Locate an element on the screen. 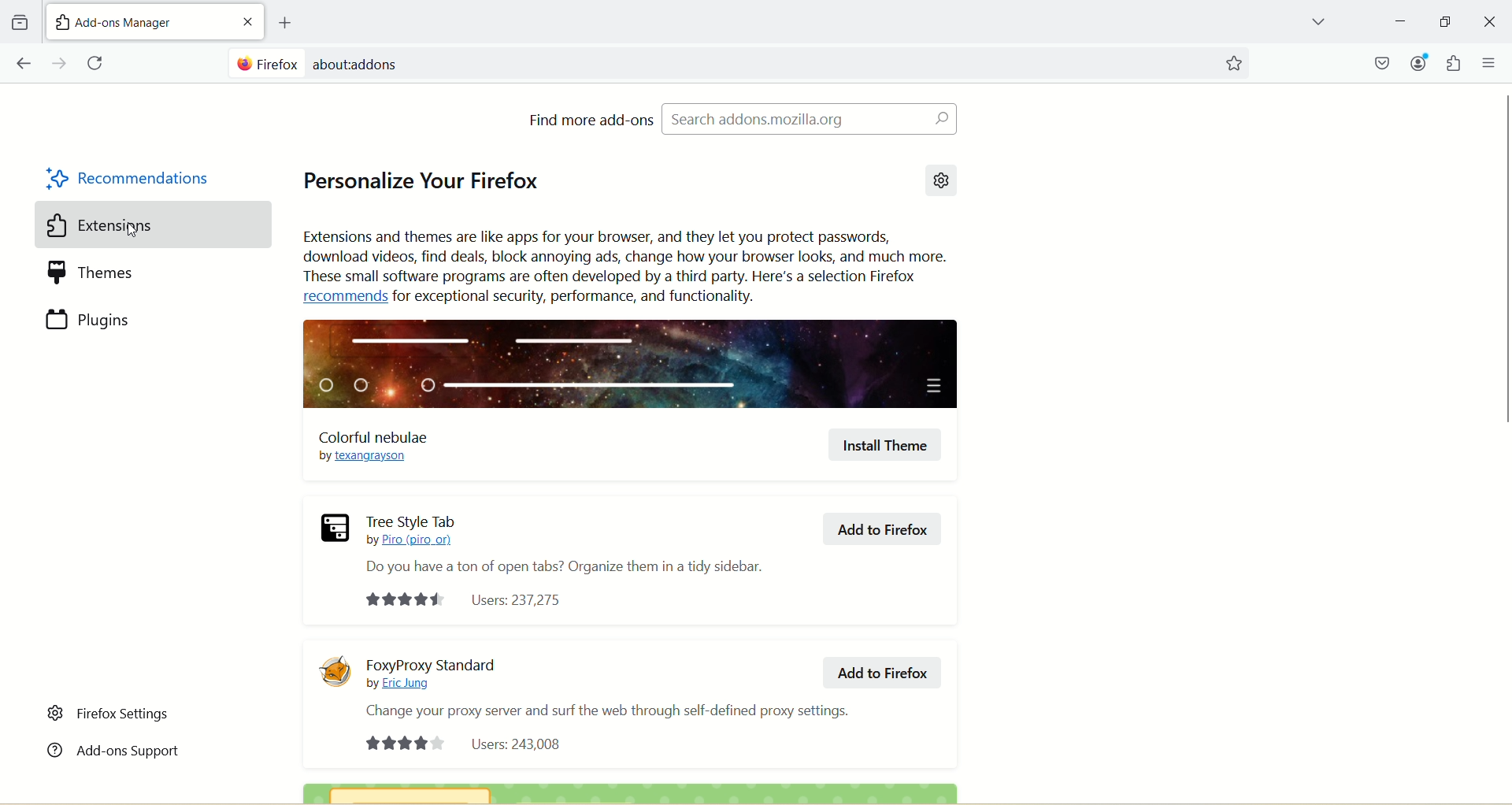  Plugins is located at coordinates (133, 319).